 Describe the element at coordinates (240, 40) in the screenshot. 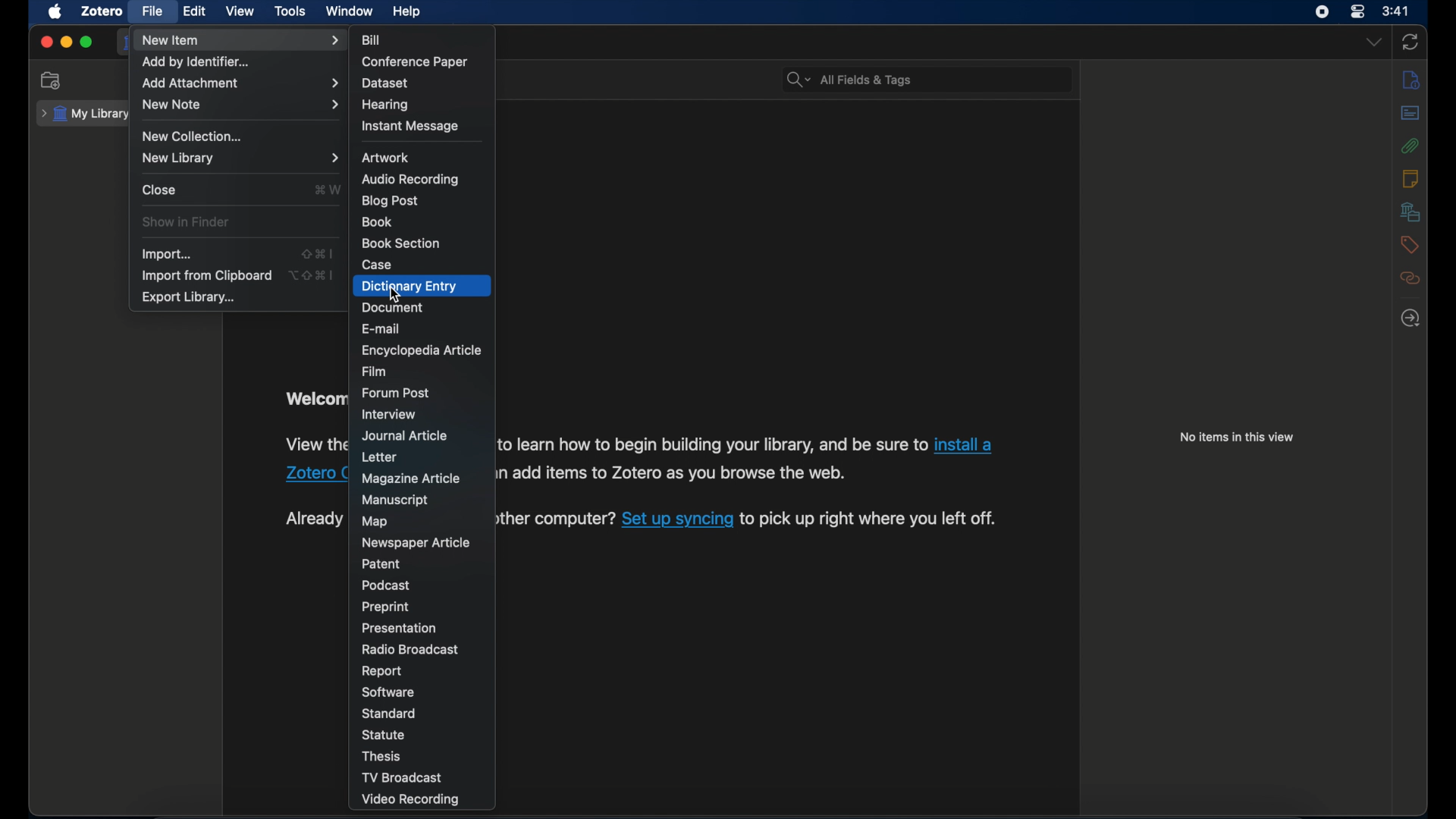

I see `new item` at that location.